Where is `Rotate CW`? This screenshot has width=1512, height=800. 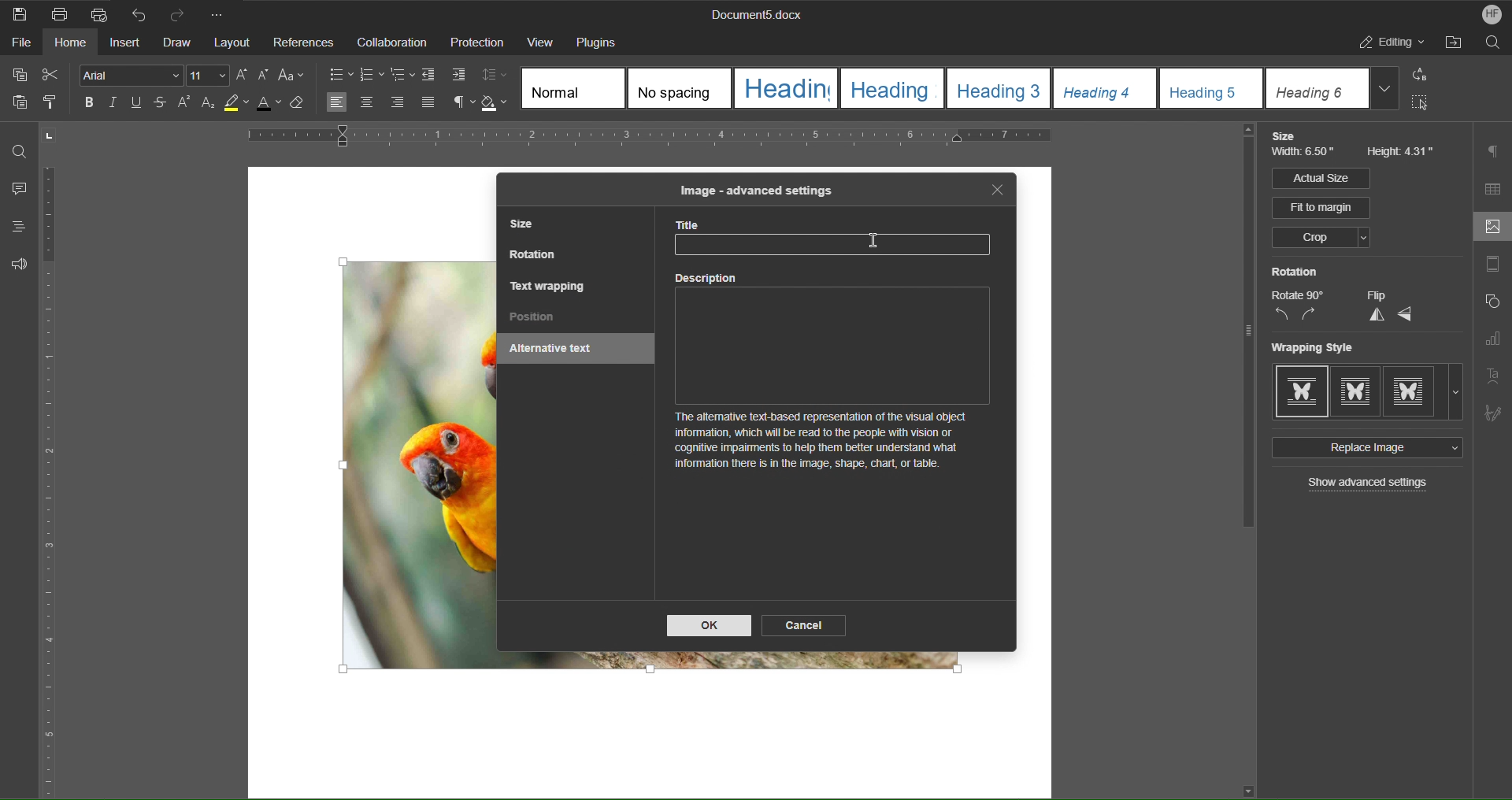 Rotate CW is located at coordinates (1310, 315).